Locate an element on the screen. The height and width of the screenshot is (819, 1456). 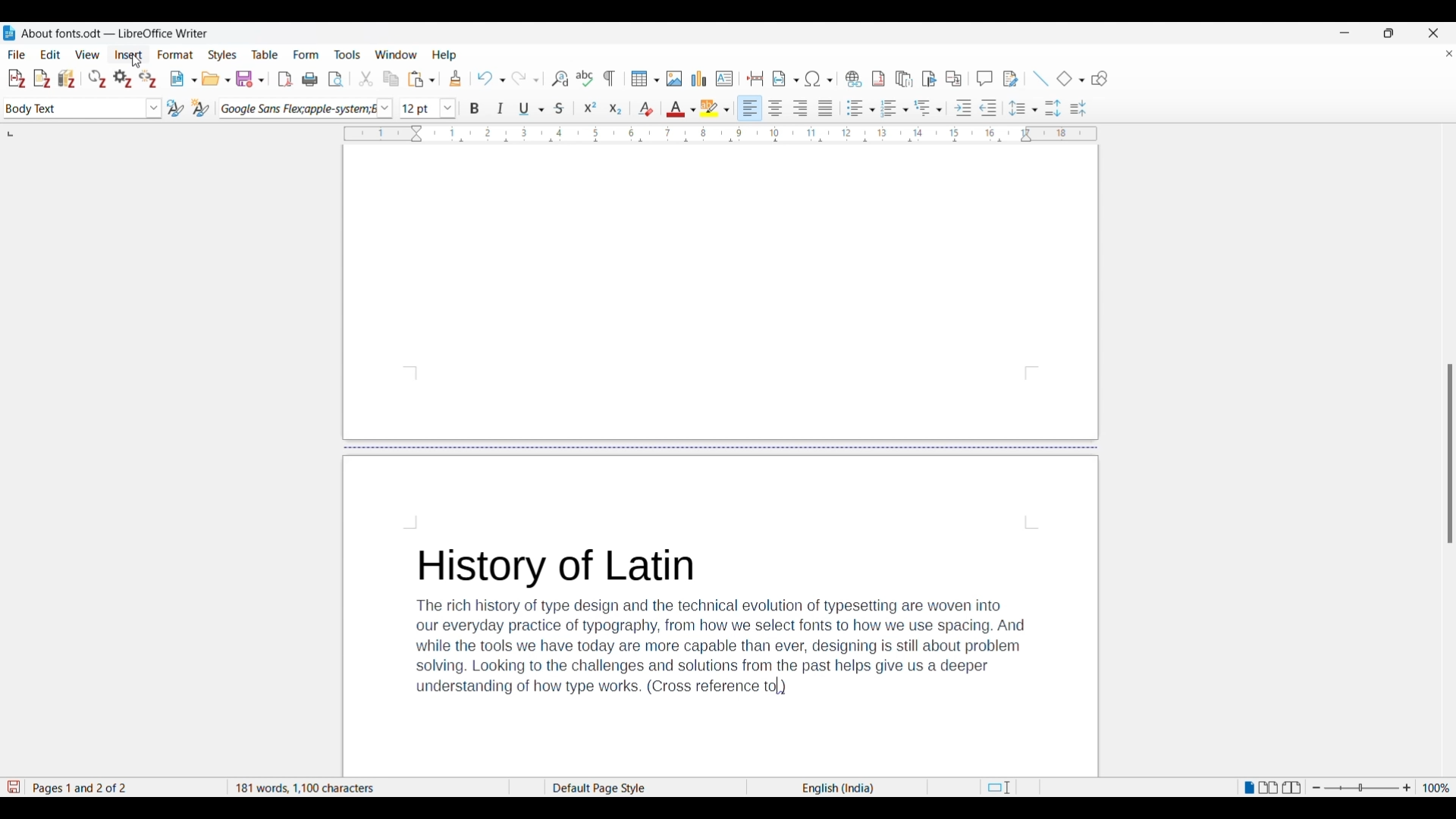
Increase paragraph spacing is located at coordinates (1053, 108).